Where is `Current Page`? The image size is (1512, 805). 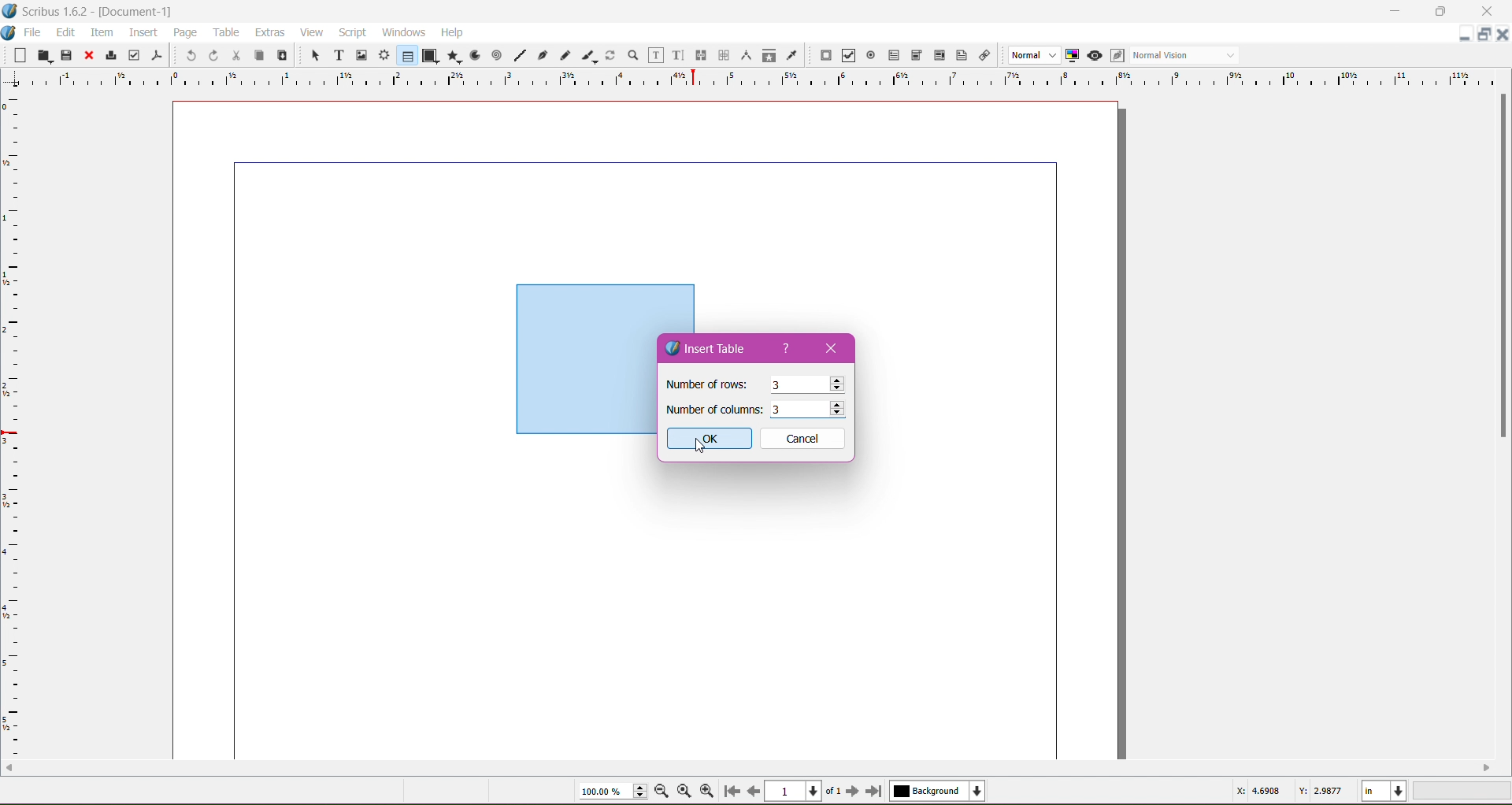 Current Page is located at coordinates (795, 789).